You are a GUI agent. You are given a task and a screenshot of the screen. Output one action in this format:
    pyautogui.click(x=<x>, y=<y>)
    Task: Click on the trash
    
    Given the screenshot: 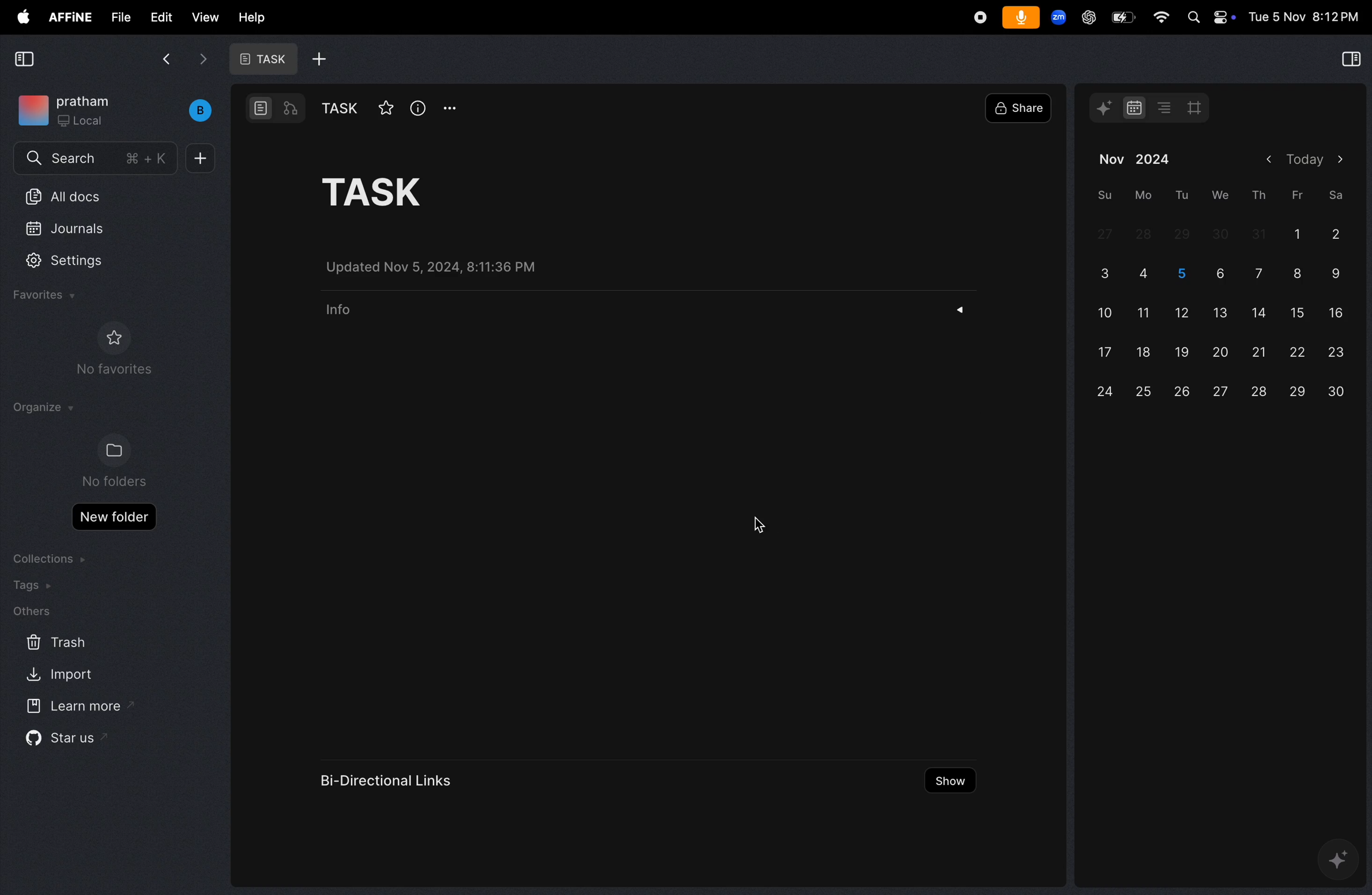 What is the action you would take?
    pyautogui.click(x=54, y=643)
    